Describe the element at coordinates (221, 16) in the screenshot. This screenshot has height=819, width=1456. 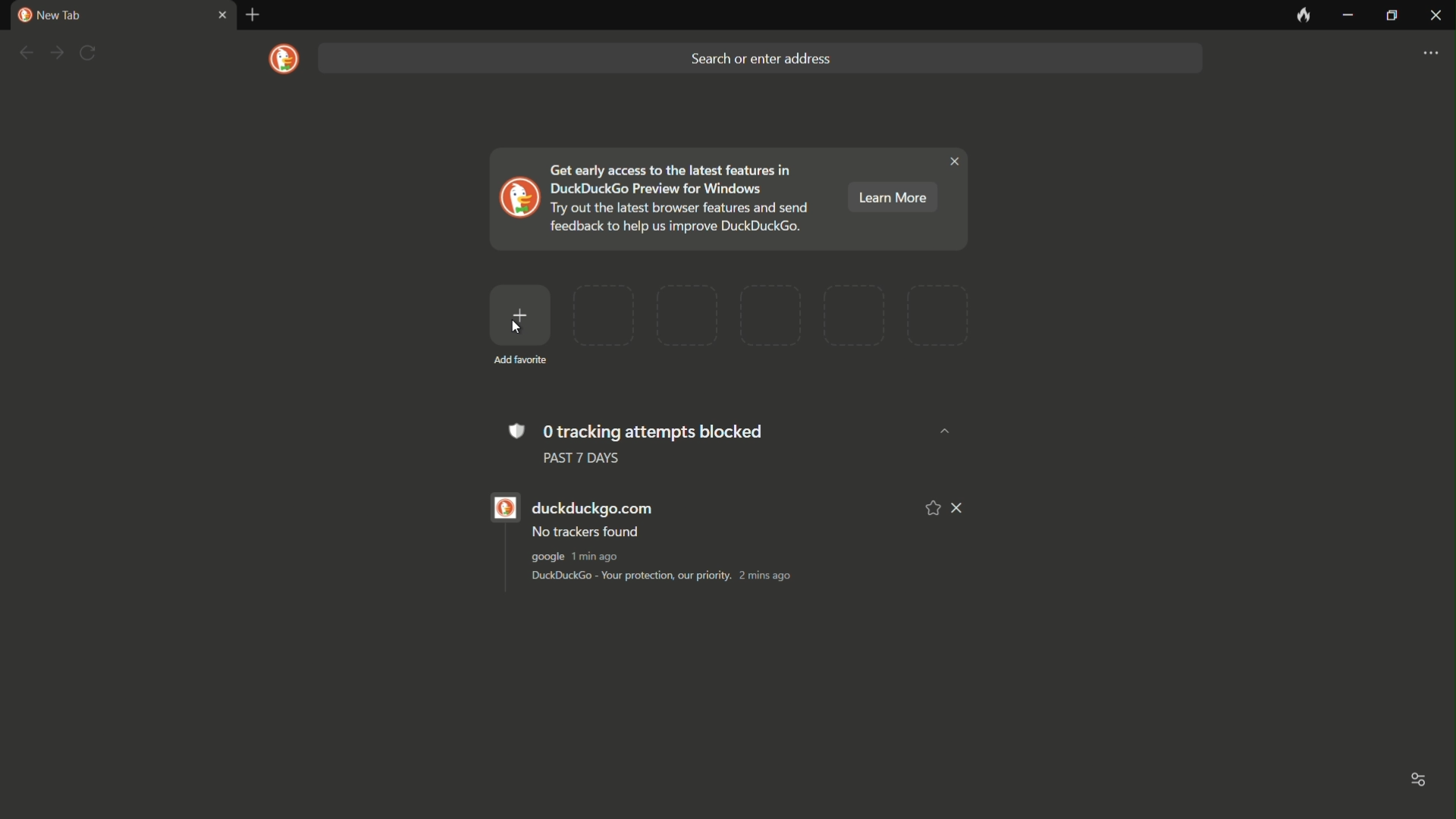
I see `close tab` at that location.